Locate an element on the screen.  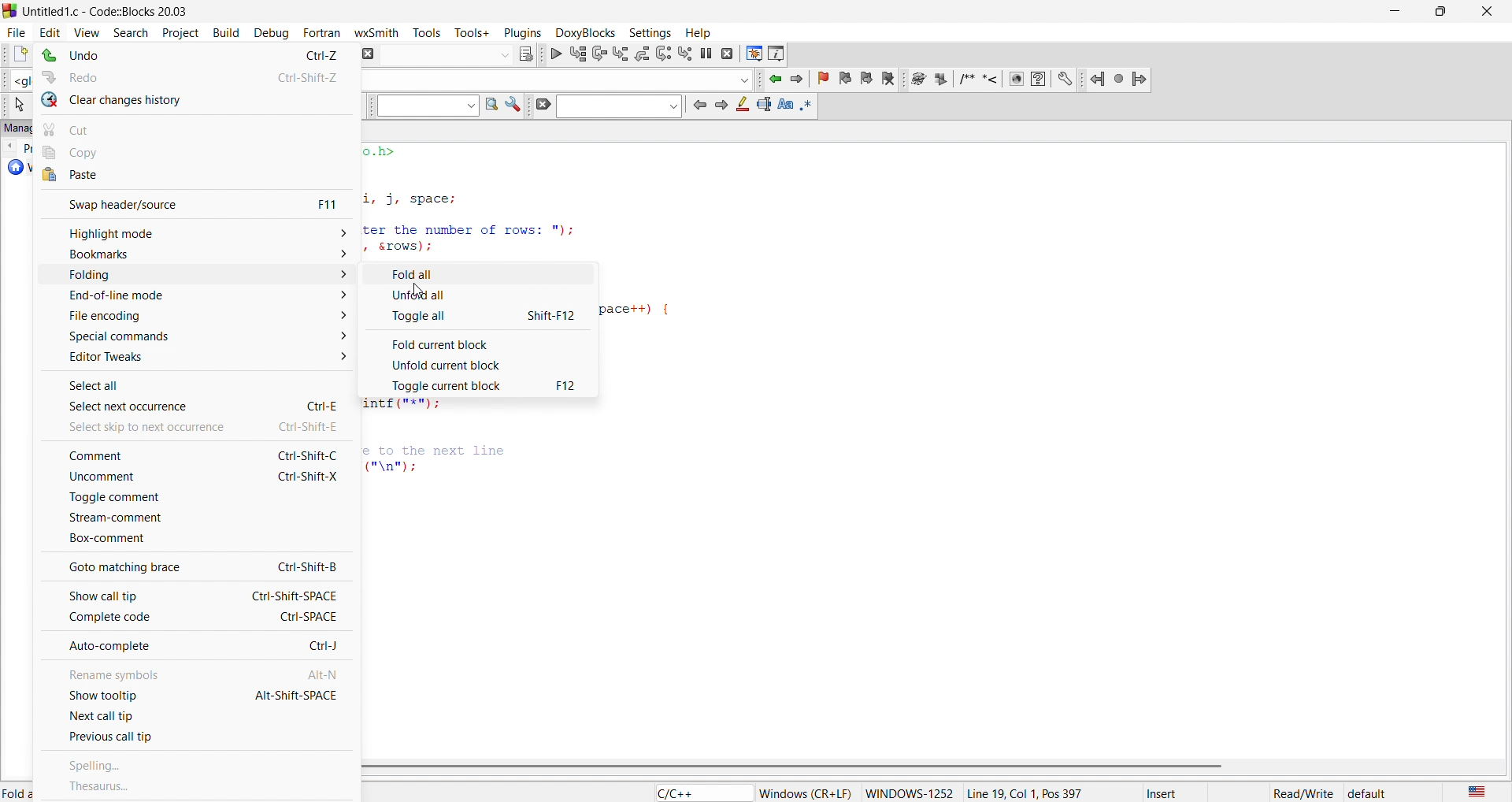
stream comment is located at coordinates (195, 517).